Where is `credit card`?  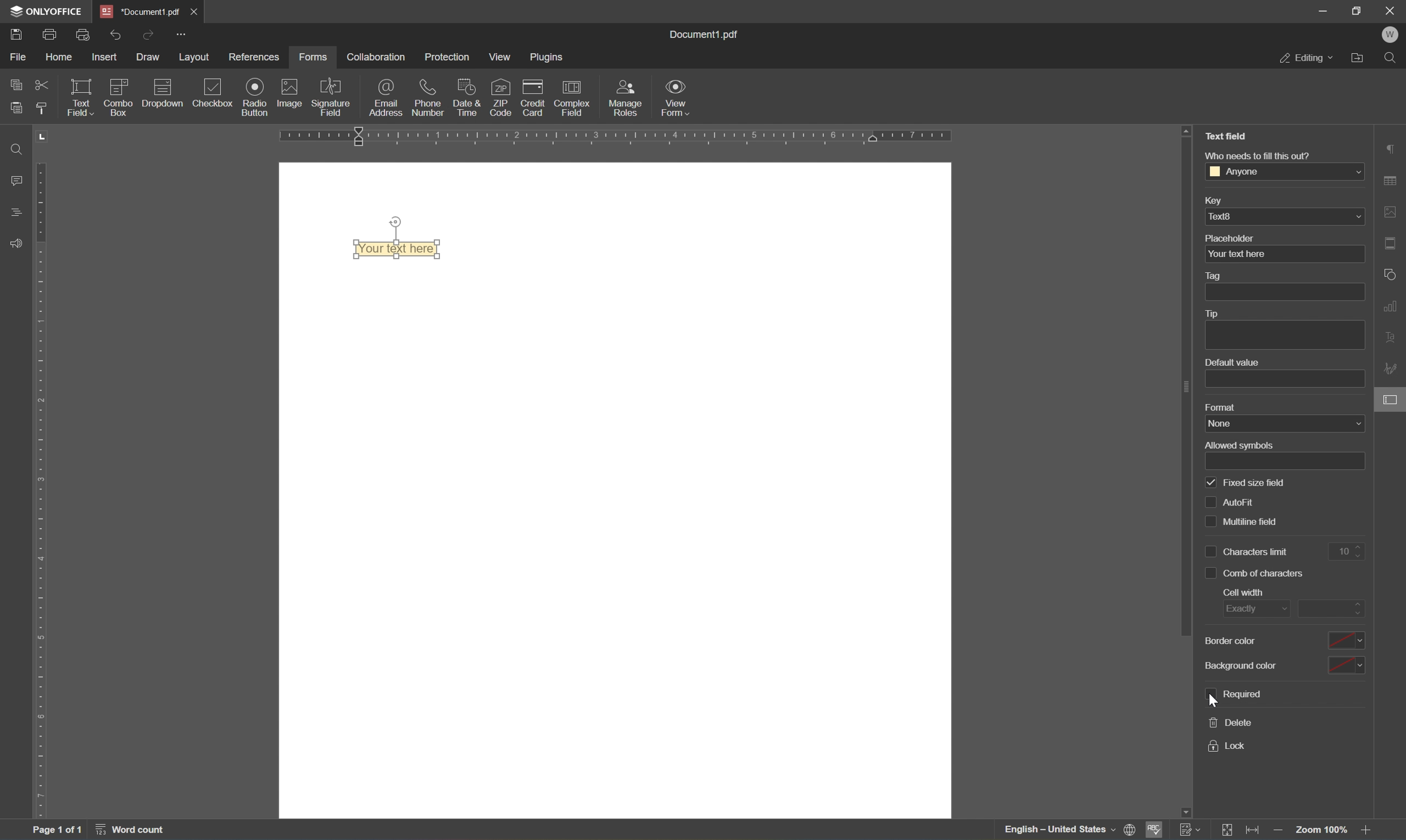 credit card is located at coordinates (531, 101).